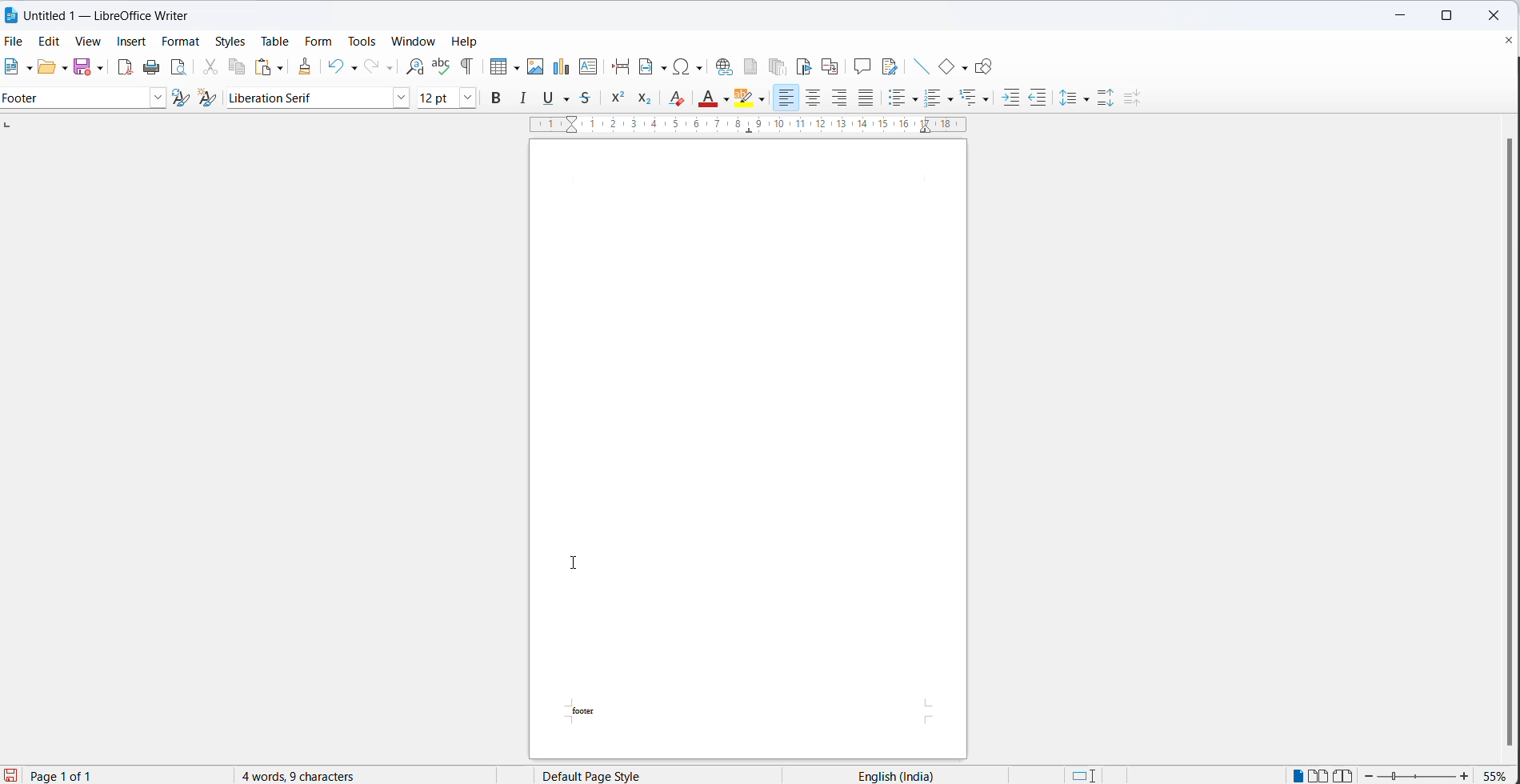 Image resolution: width=1520 pixels, height=784 pixels. I want to click on toggle unordered list, so click(934, 100).